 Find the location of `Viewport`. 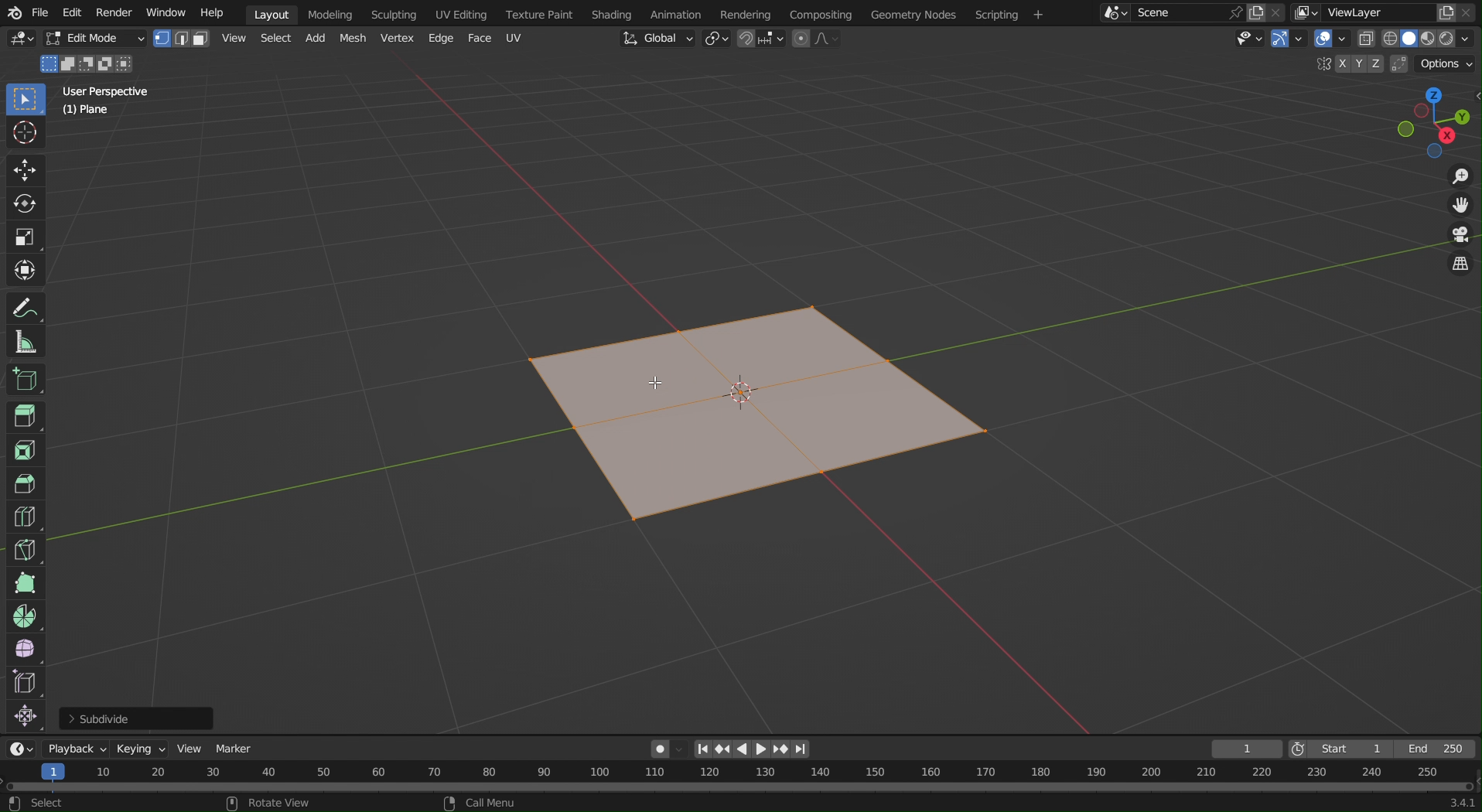

Viewport is located at coordinates (1434, 122).